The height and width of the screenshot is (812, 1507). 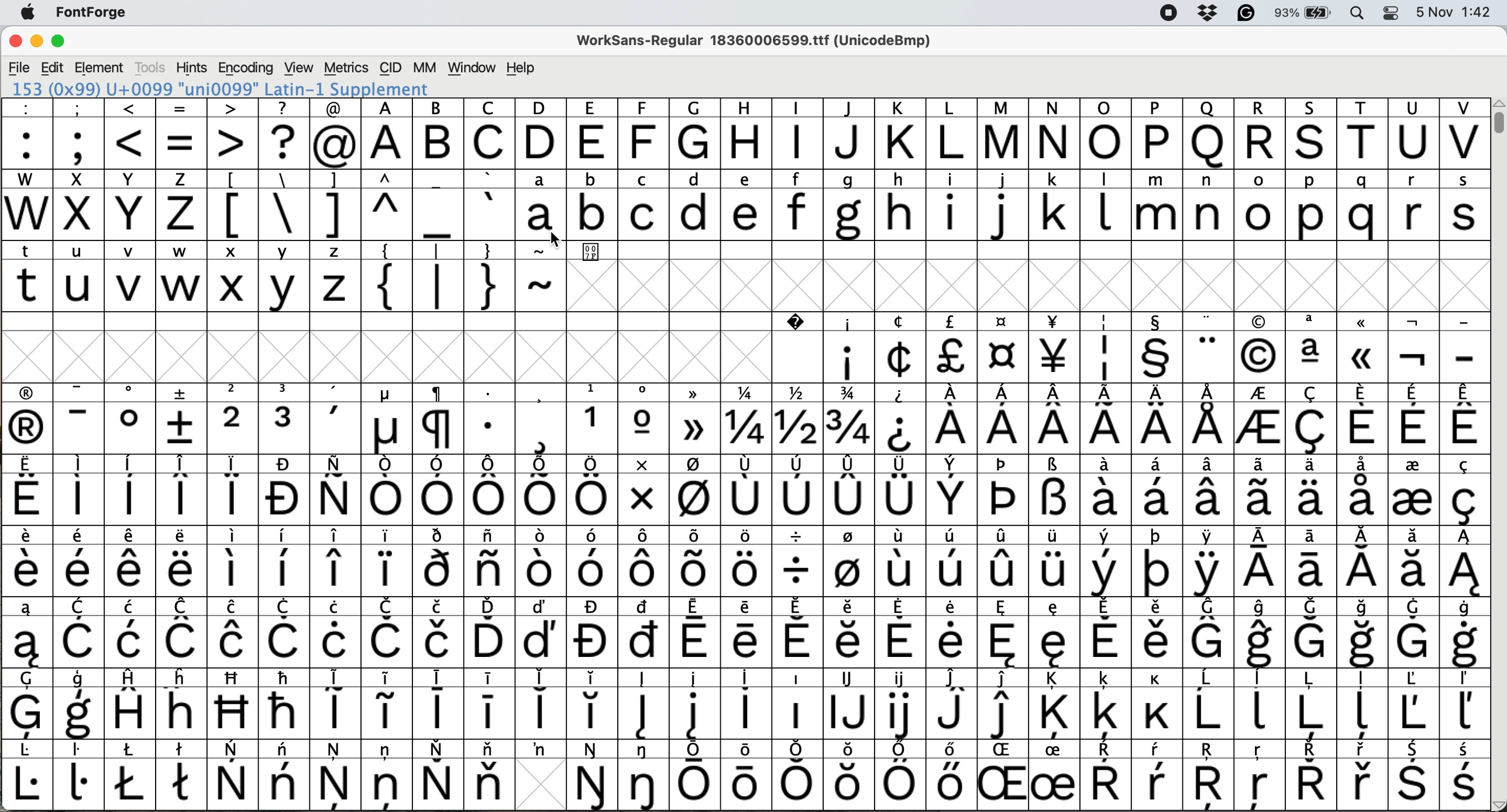 I want to click on symbol, so click(x=697, y=703).